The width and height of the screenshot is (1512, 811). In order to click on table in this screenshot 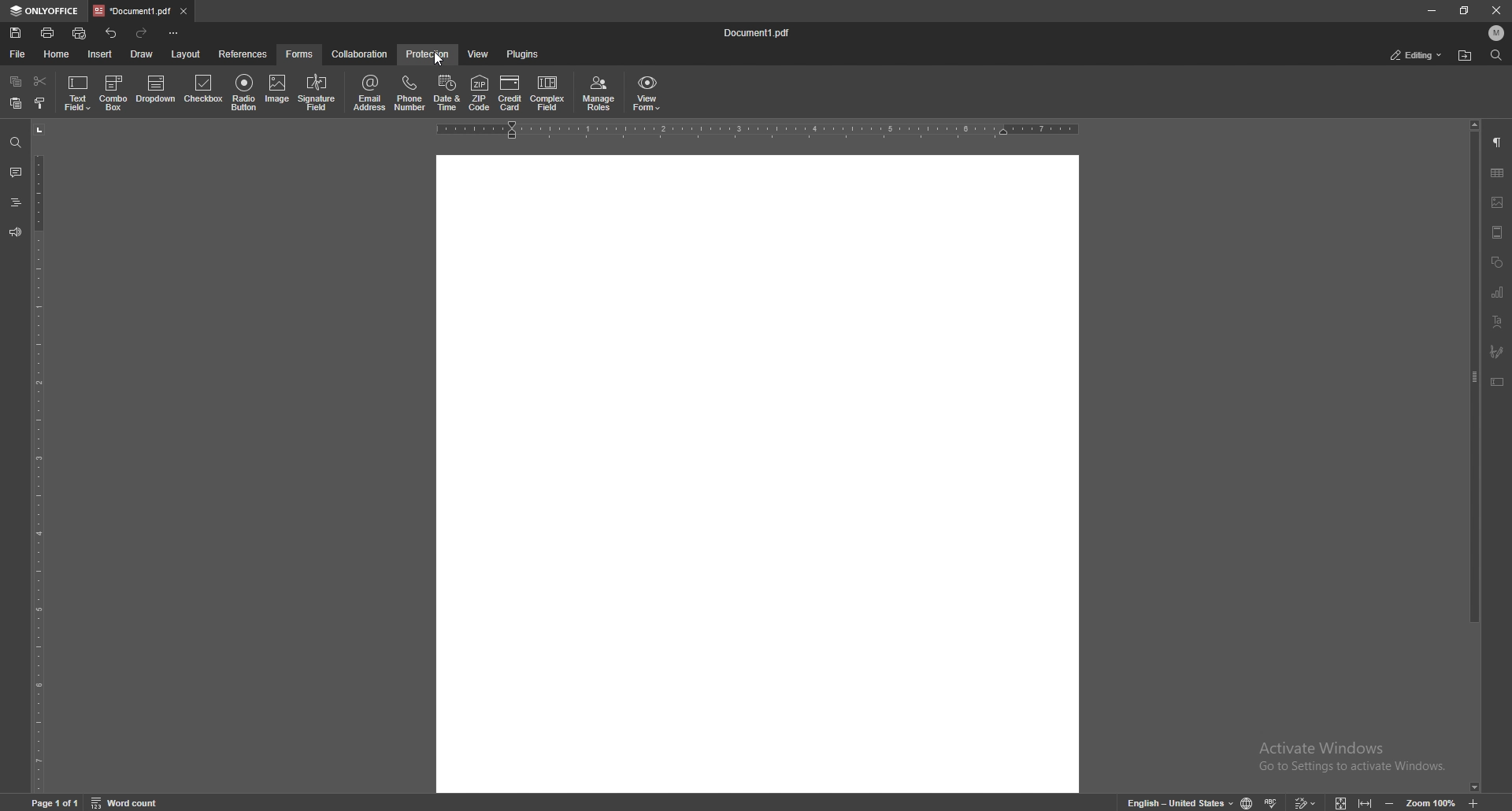, I will do `click(1497, 173)`.